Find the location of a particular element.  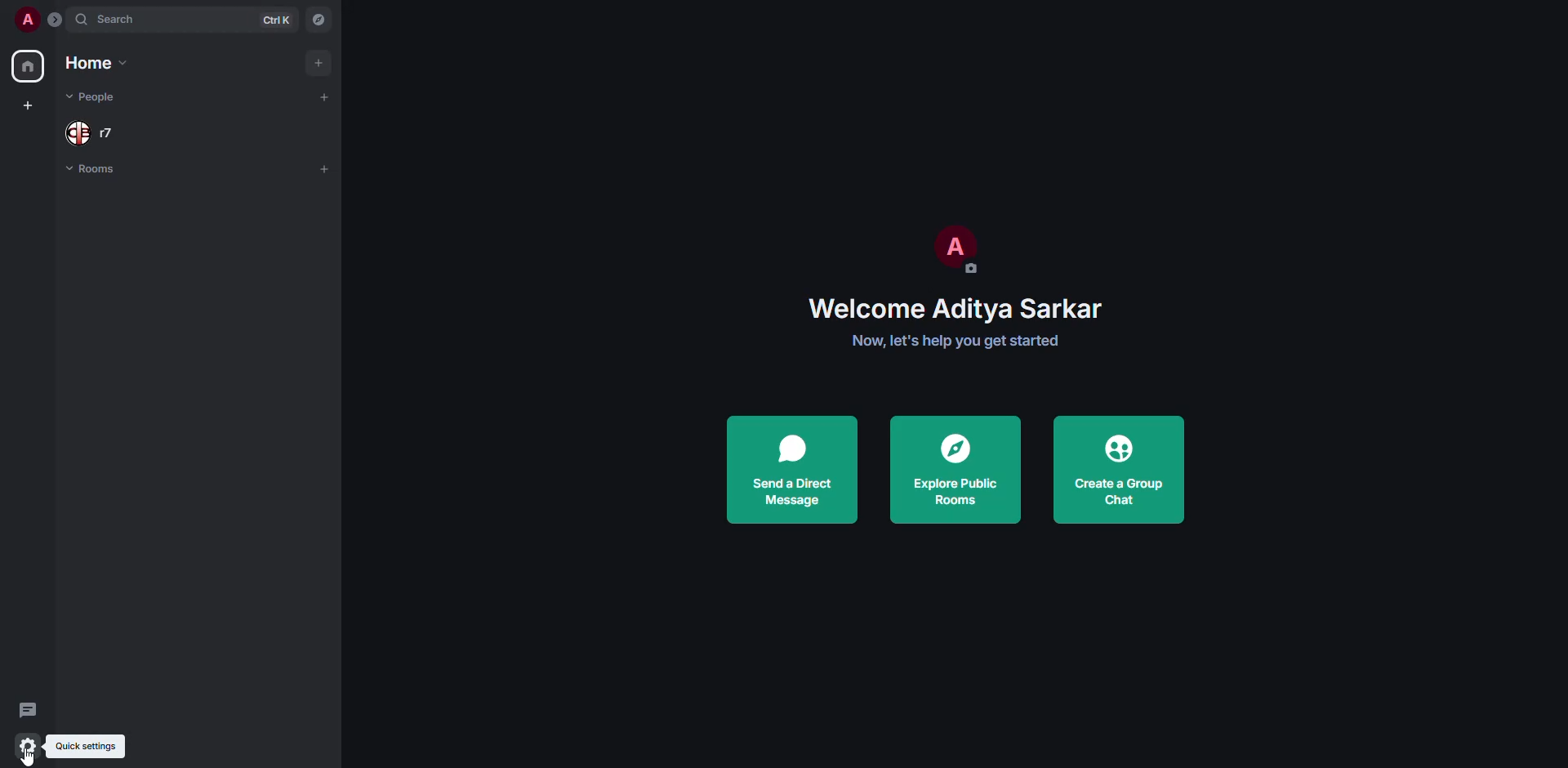

create a group chat is located at coordinates (1124, 469).